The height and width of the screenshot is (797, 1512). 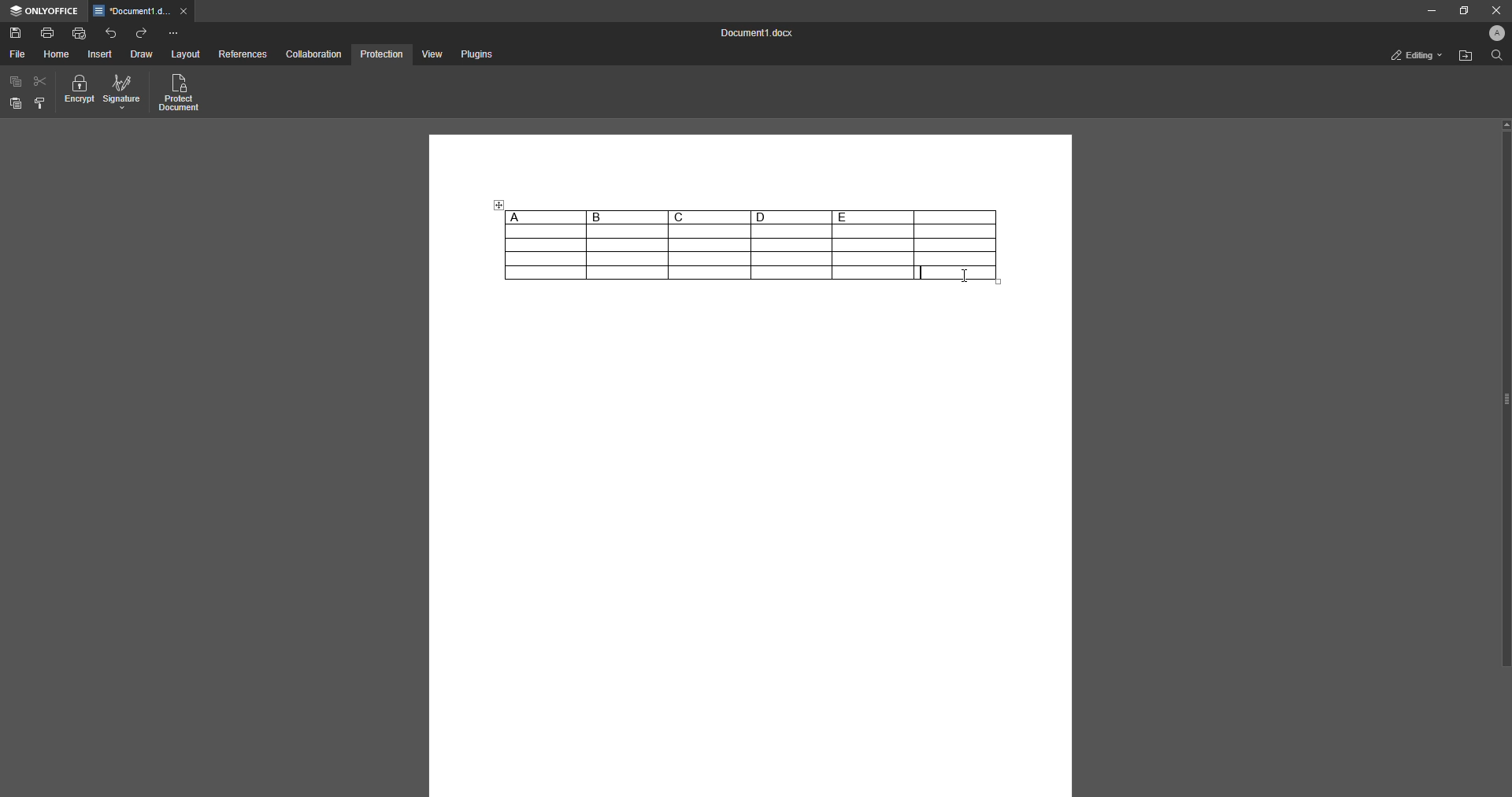 I want to click on Plugins, so click(x=475, y=55).